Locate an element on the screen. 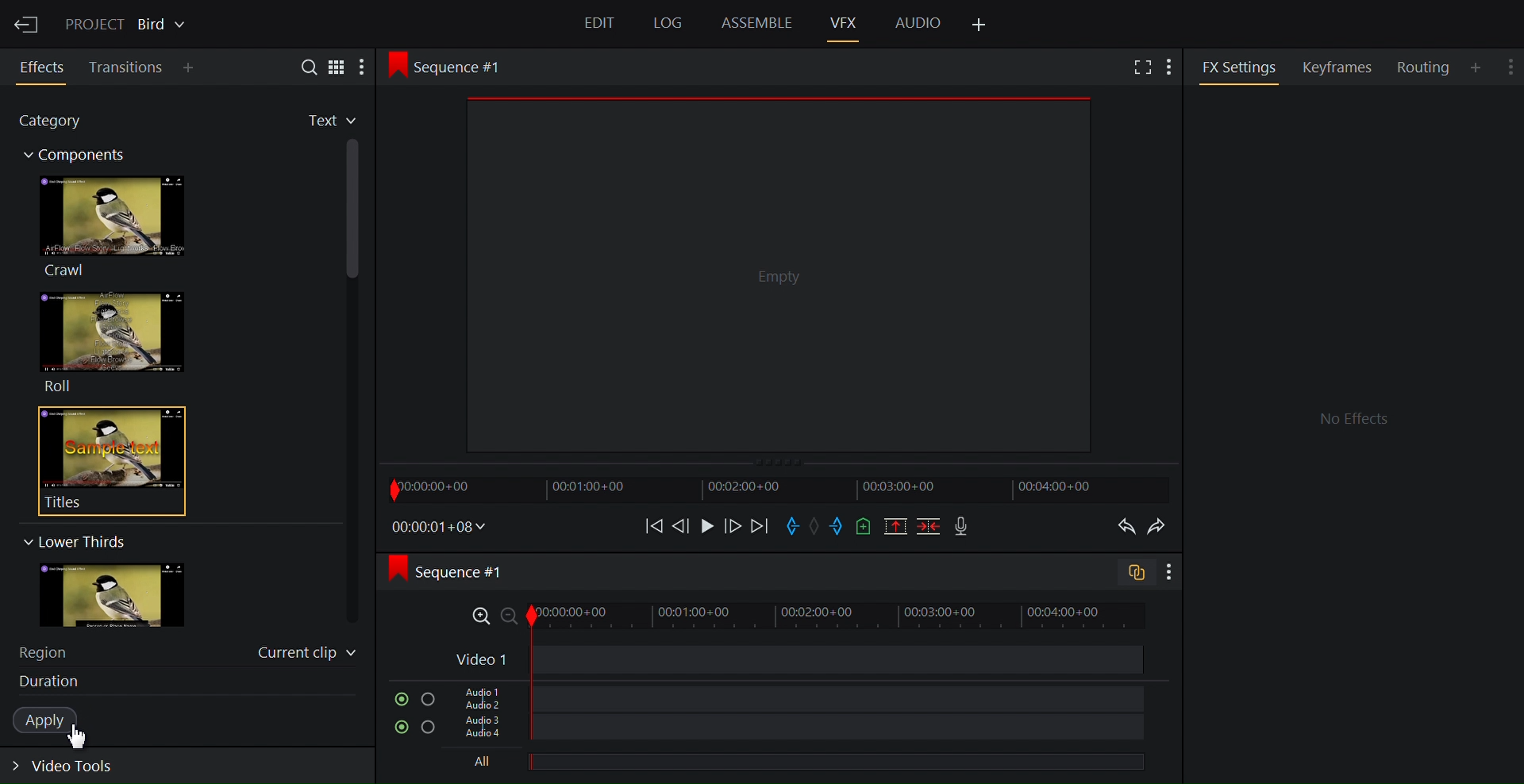 This screenshot has height=784, width=1524. Add a cue is located at coordinates (864, 528).